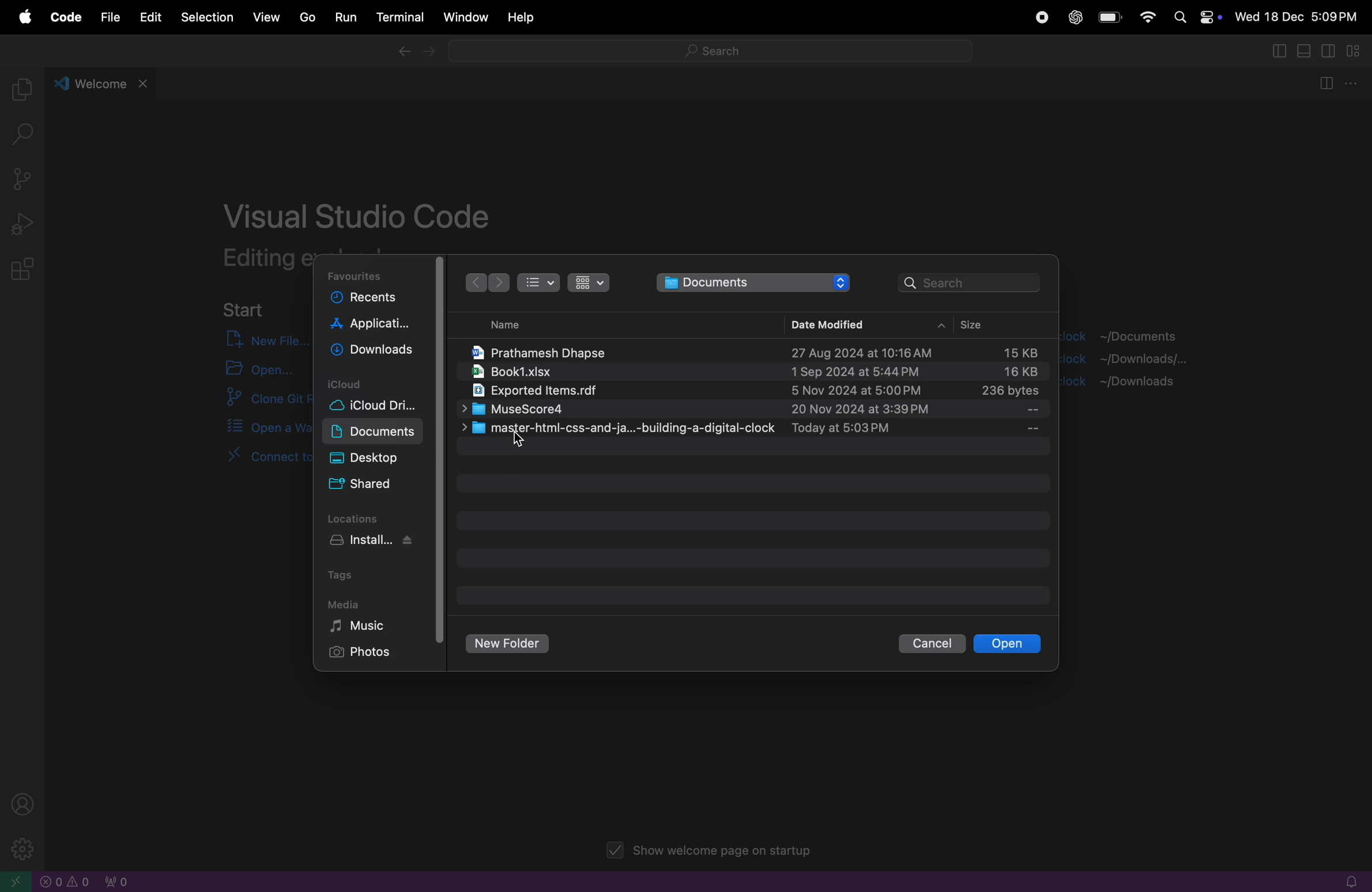  What do you see at coordinates (499, 284) in the screenshot?
I see `forward` at bounding box center [499, 284].